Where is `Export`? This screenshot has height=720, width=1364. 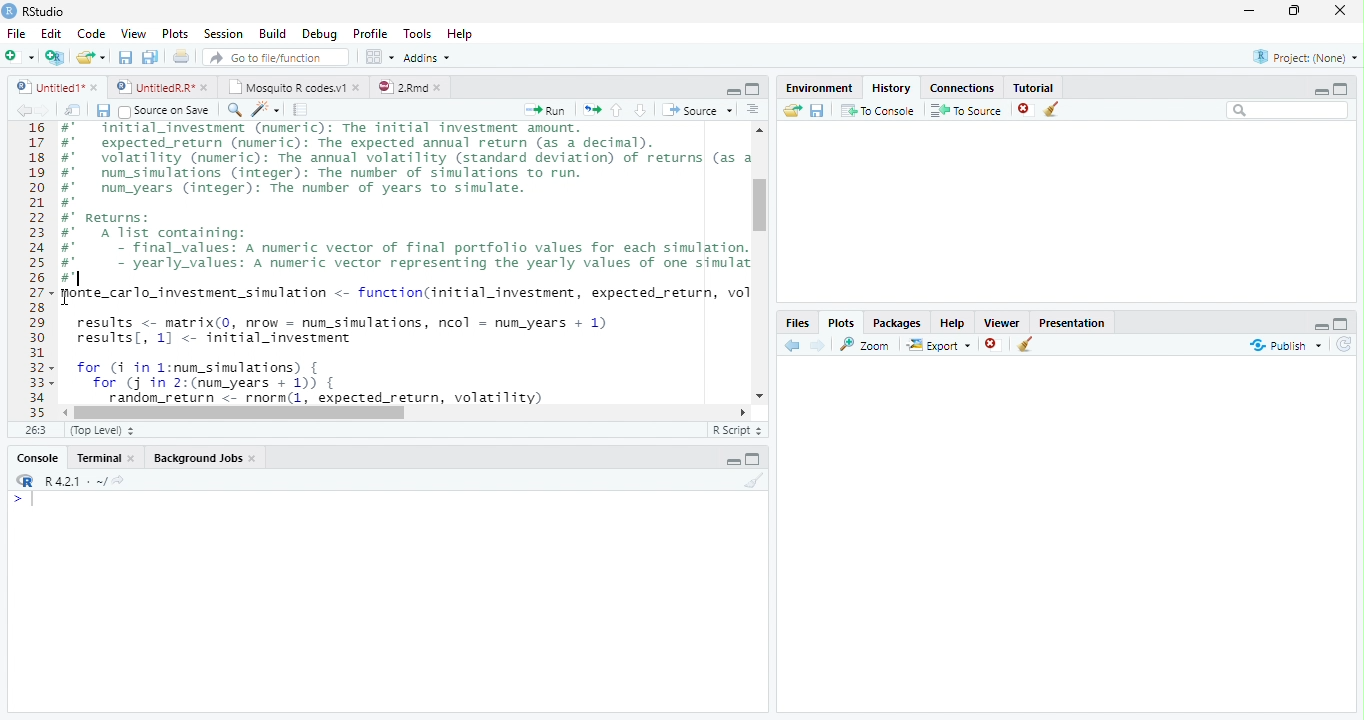 Export is located at coordinates (937, 345).